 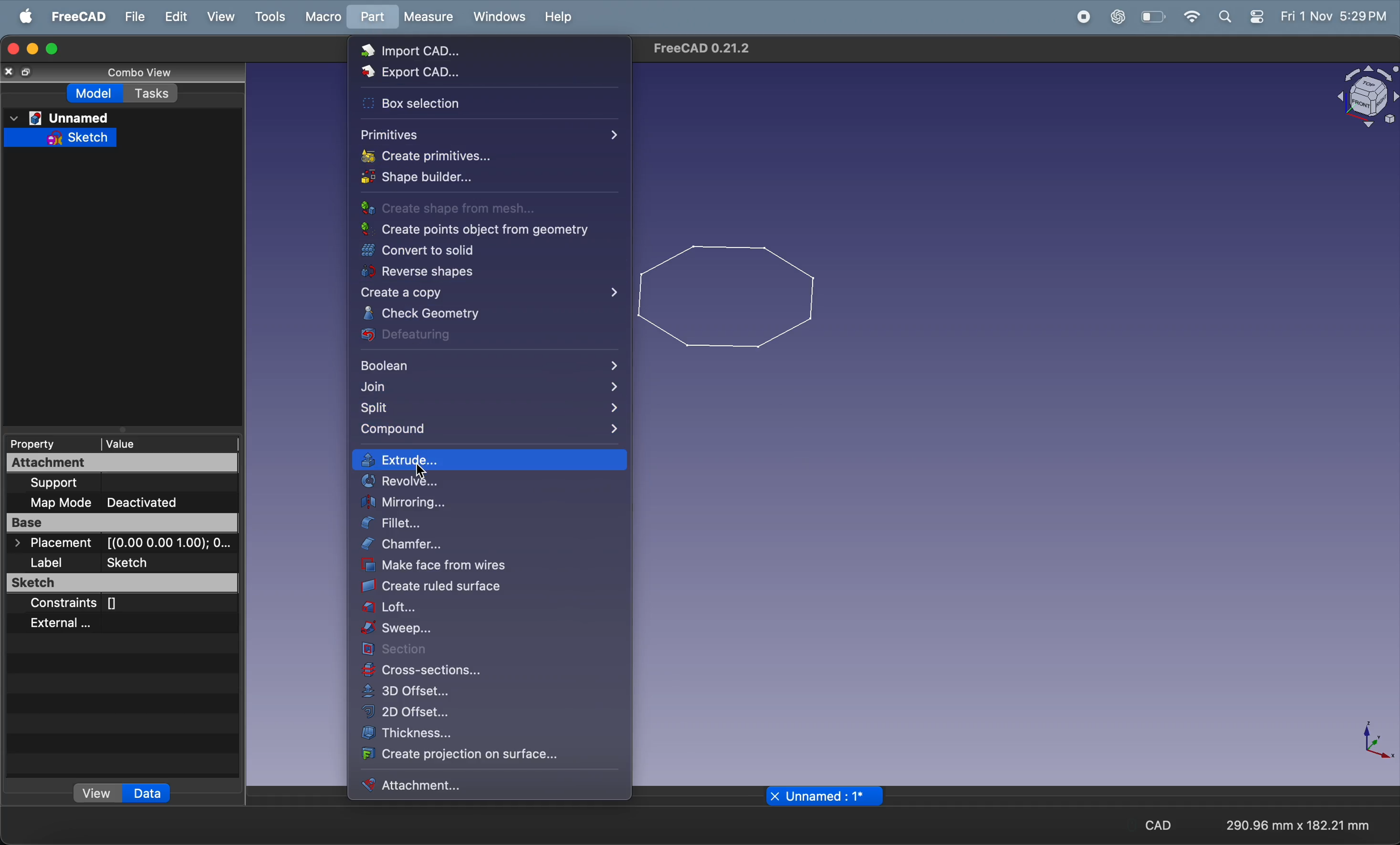 What do you see at coordinates (466, 209) in the screenshot?
I see `create shape from mesh` at bounding box center [466, 209].